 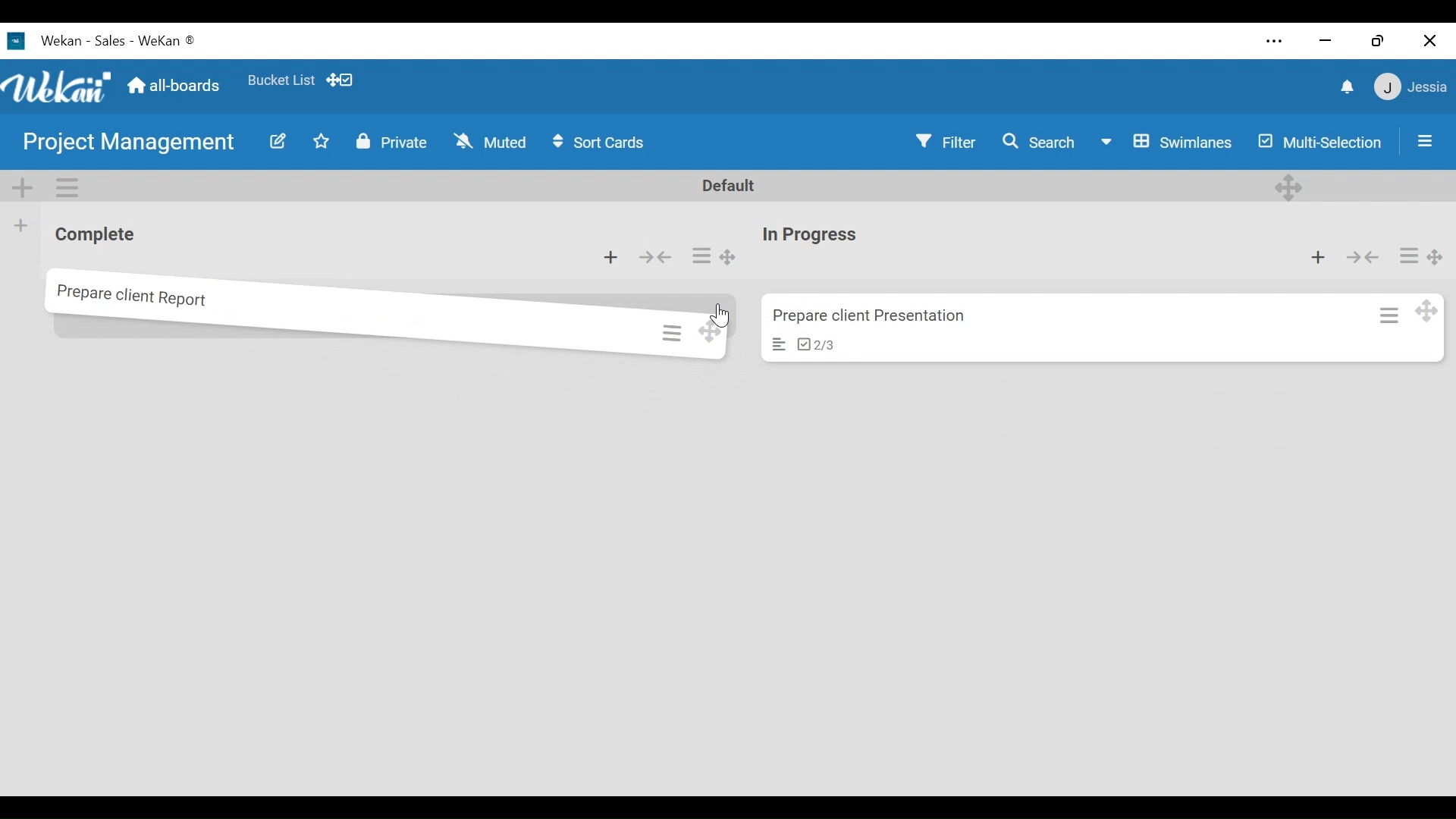 I want to click on Card actions, so click(x=1405, y=254).